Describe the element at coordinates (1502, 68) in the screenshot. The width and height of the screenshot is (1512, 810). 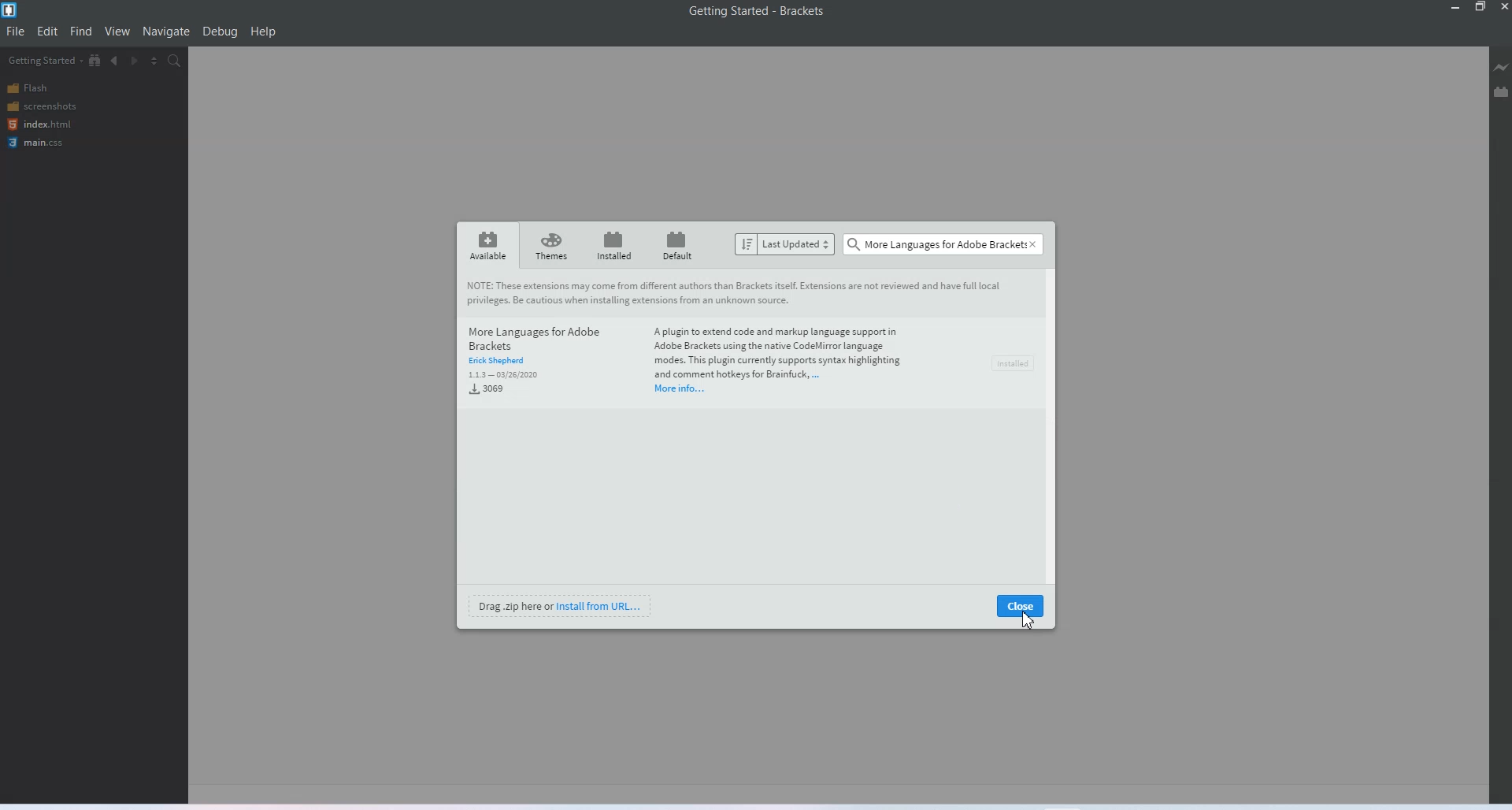
I see `Live Preview` at that location.